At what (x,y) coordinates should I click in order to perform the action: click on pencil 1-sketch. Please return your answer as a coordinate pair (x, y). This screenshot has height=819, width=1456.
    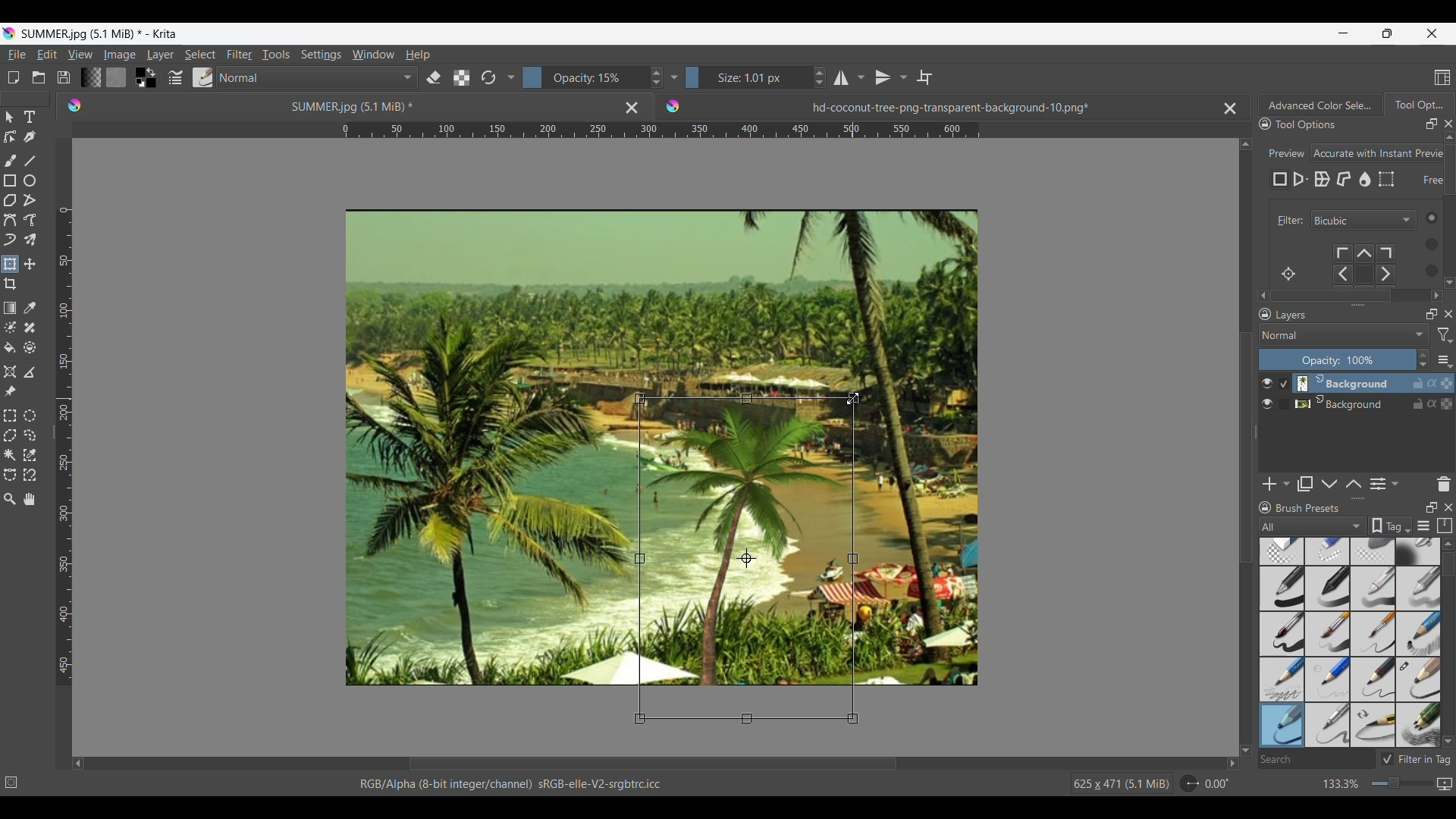
    Looking at the image, I should click on (1419, 634).